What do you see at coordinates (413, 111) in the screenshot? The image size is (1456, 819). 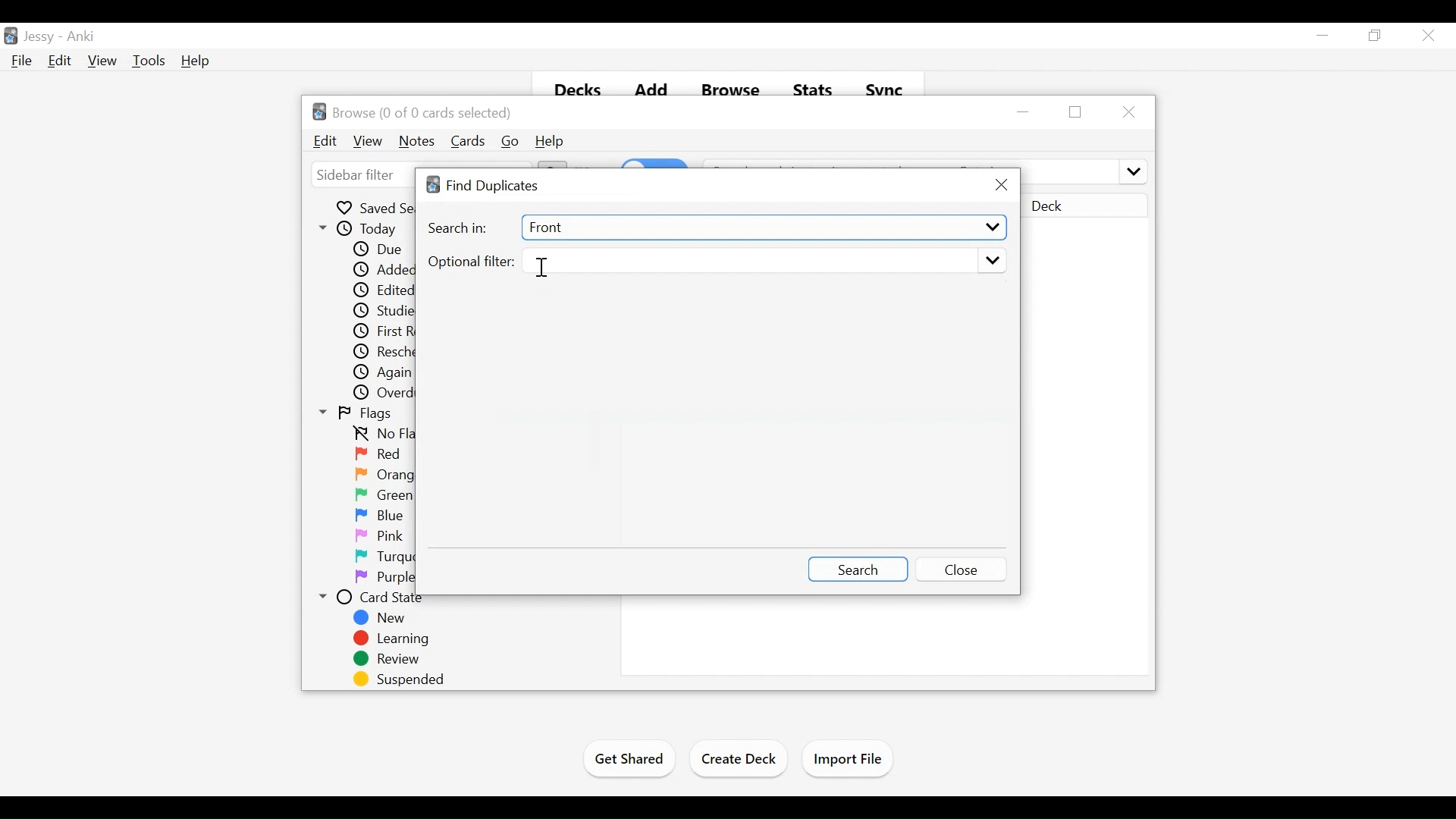 I see `Browse (number of selected cards)` at bounding box center [413, 111].